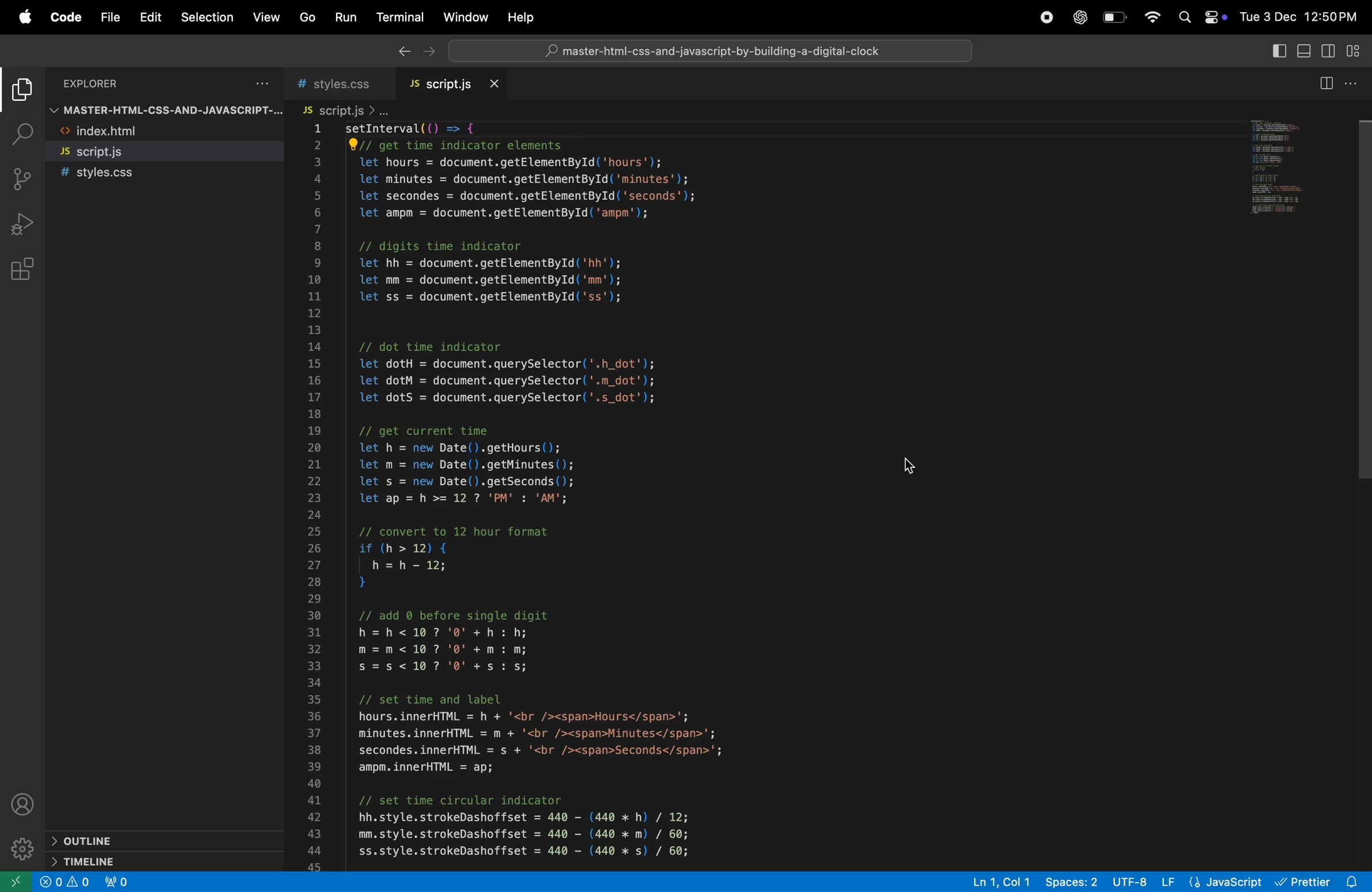  What do you see at coordinates (1276, 50) in the screenshot?
I see `toggle panel` at bounding box center [1276, 50].